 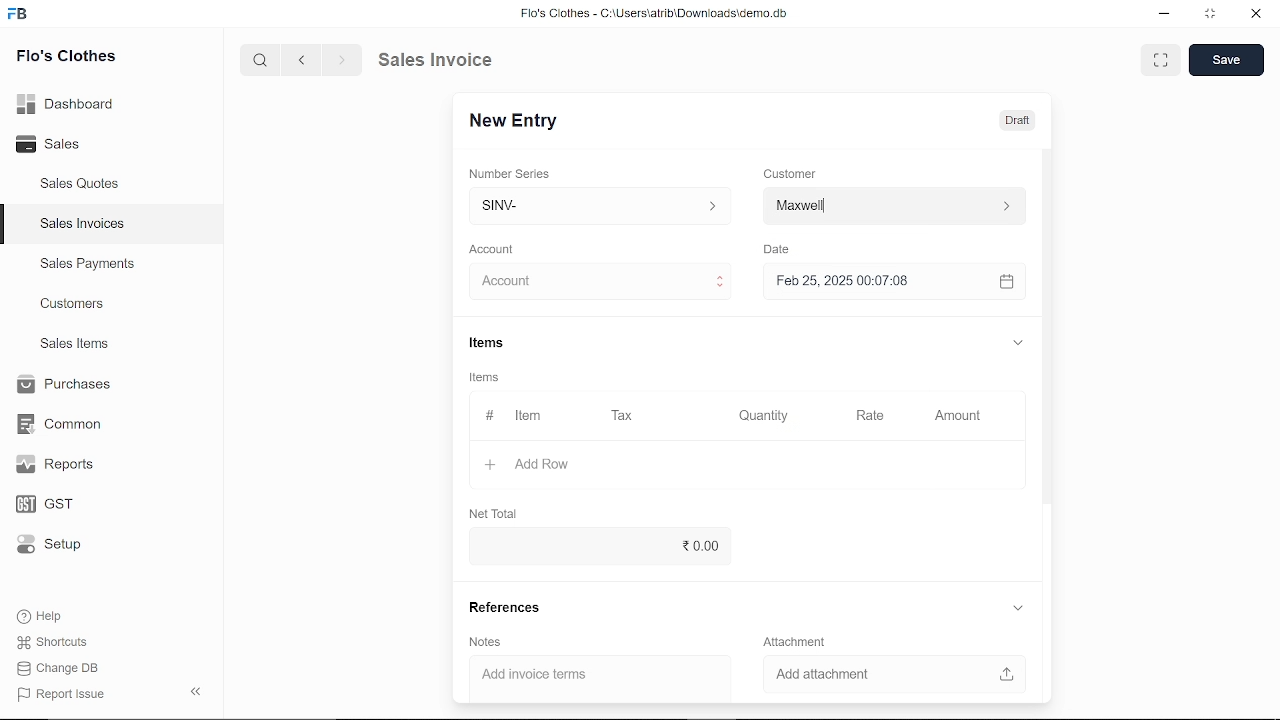 I want to click on Change DB, so click(x=60, y=667).